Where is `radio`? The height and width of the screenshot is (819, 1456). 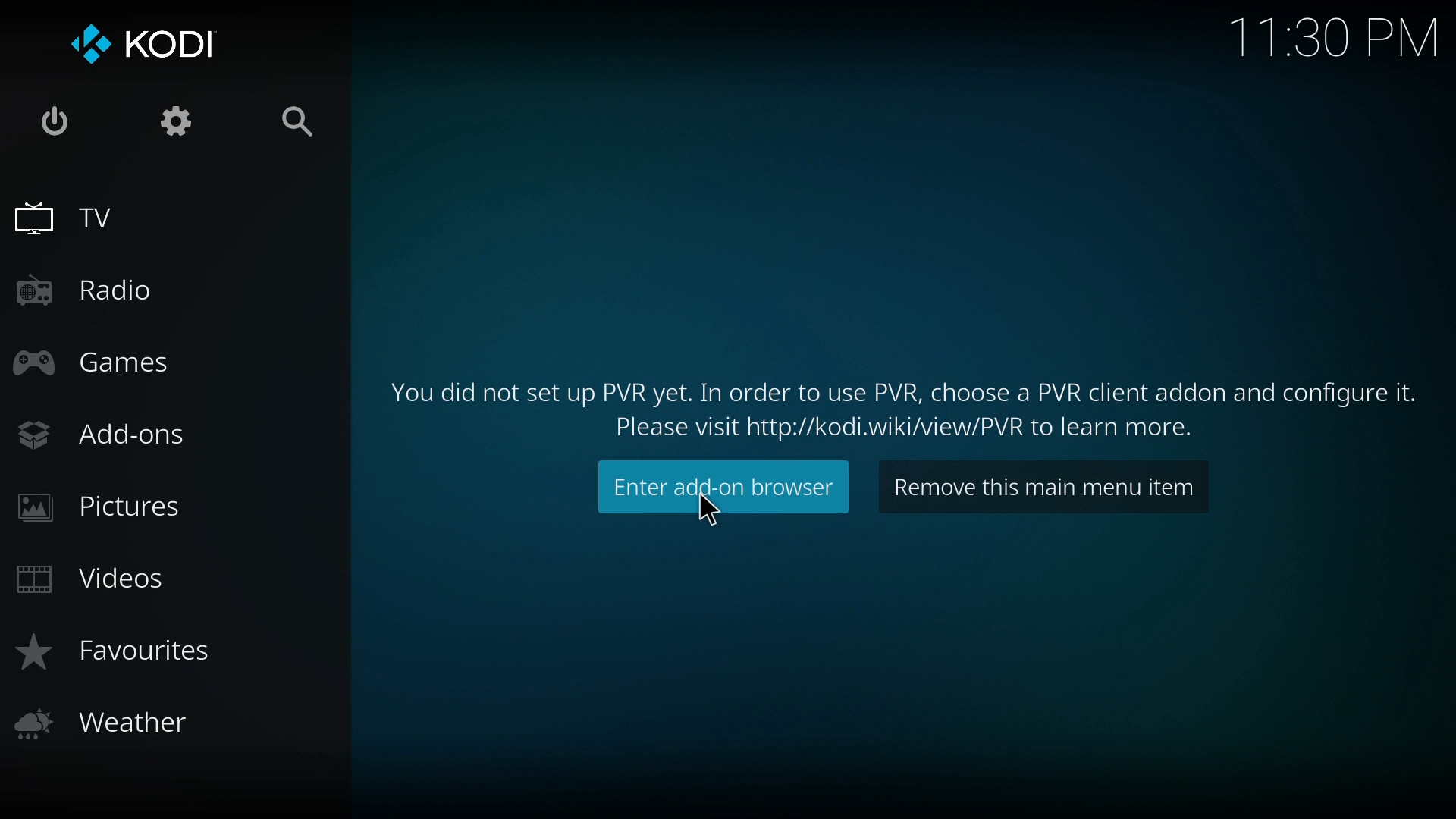
radio is located at coordinates (86, 290).